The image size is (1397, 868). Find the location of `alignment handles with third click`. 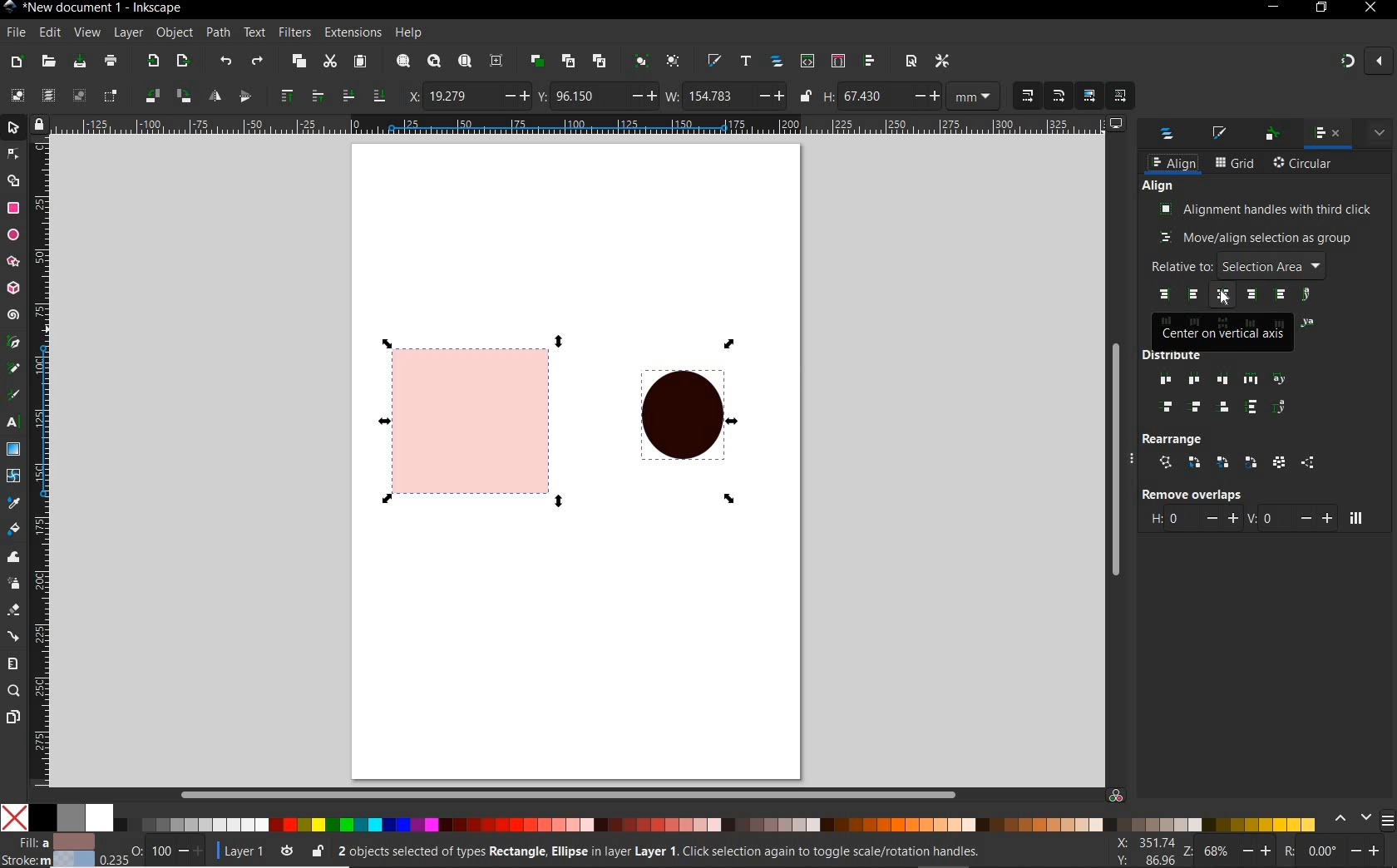

alignment handles with third click is located at coordinates (1266, 209).